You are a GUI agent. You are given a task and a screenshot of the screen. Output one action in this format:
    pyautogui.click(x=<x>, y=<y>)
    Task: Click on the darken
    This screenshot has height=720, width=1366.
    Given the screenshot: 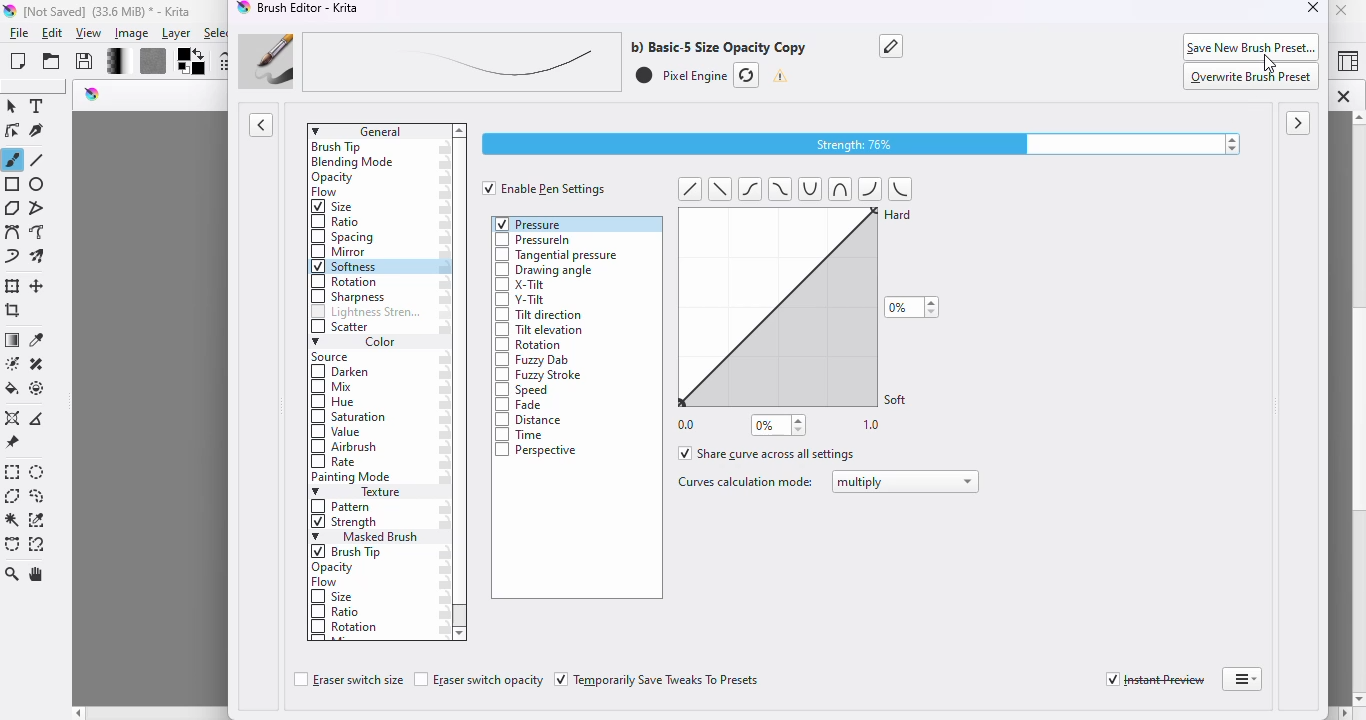 What is the action you would take?
    pyautogui.click(x=342, y=373)
    